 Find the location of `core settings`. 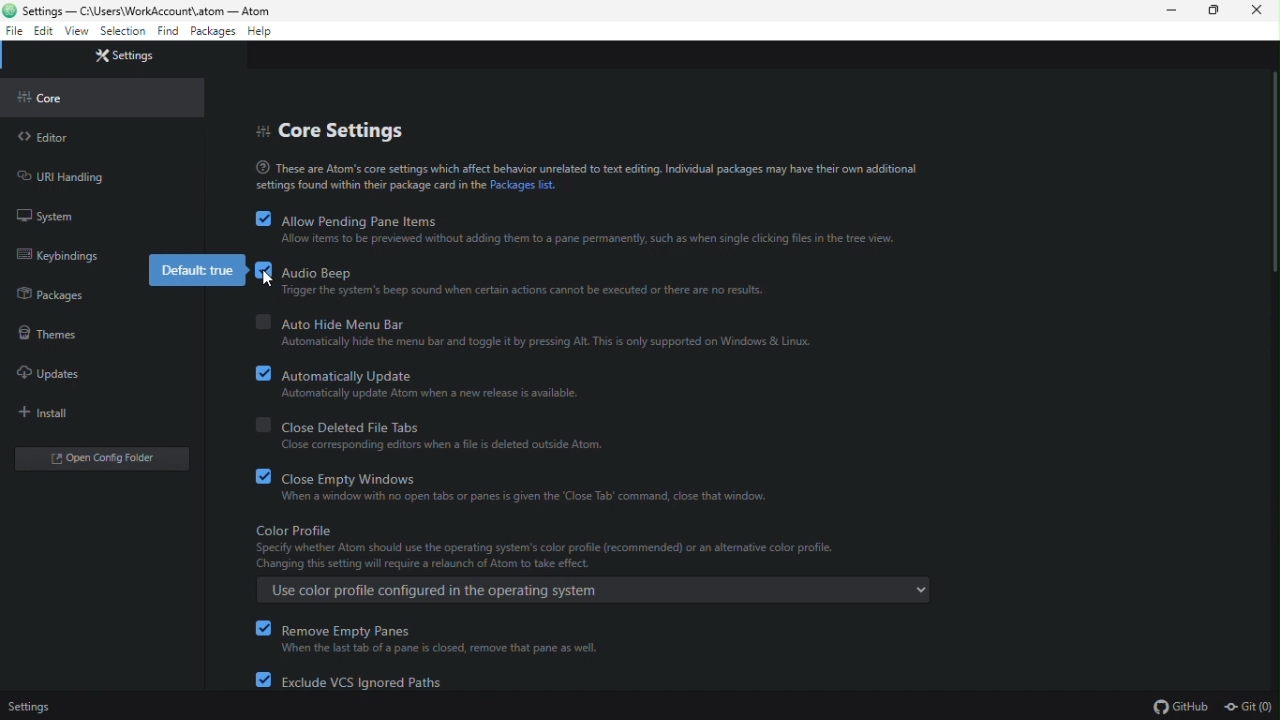

core settings is located at coordinates (334, 132).